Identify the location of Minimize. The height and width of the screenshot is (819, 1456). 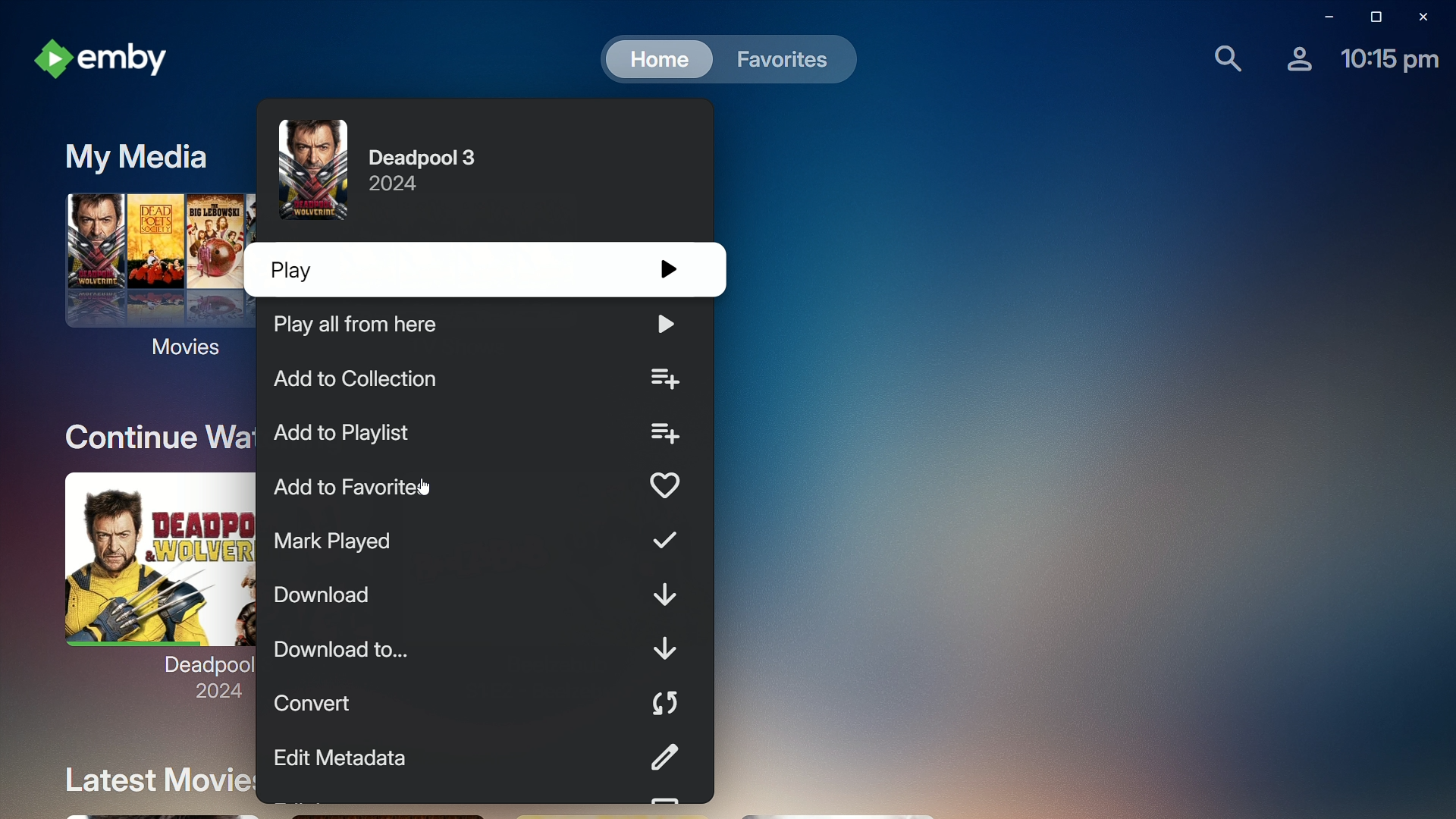
(1319, 20).